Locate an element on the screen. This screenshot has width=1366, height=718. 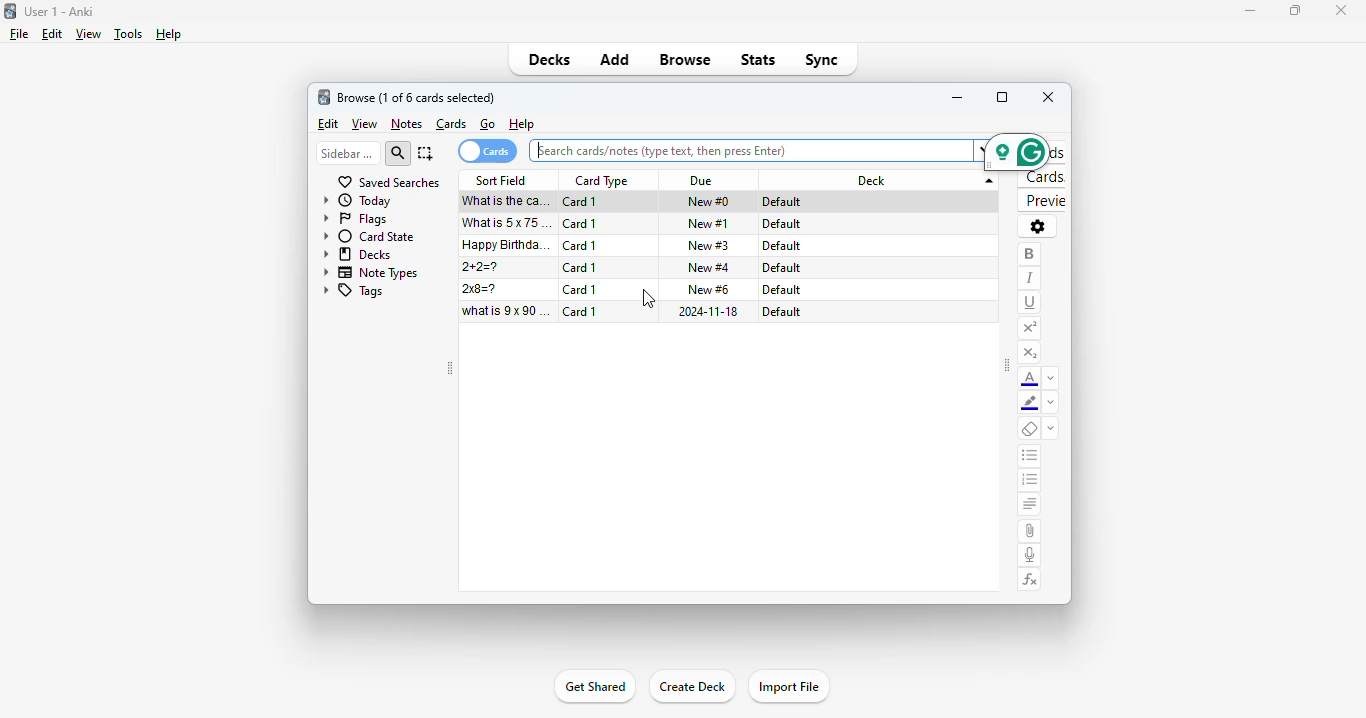
view is located at coordinates (87, 34).